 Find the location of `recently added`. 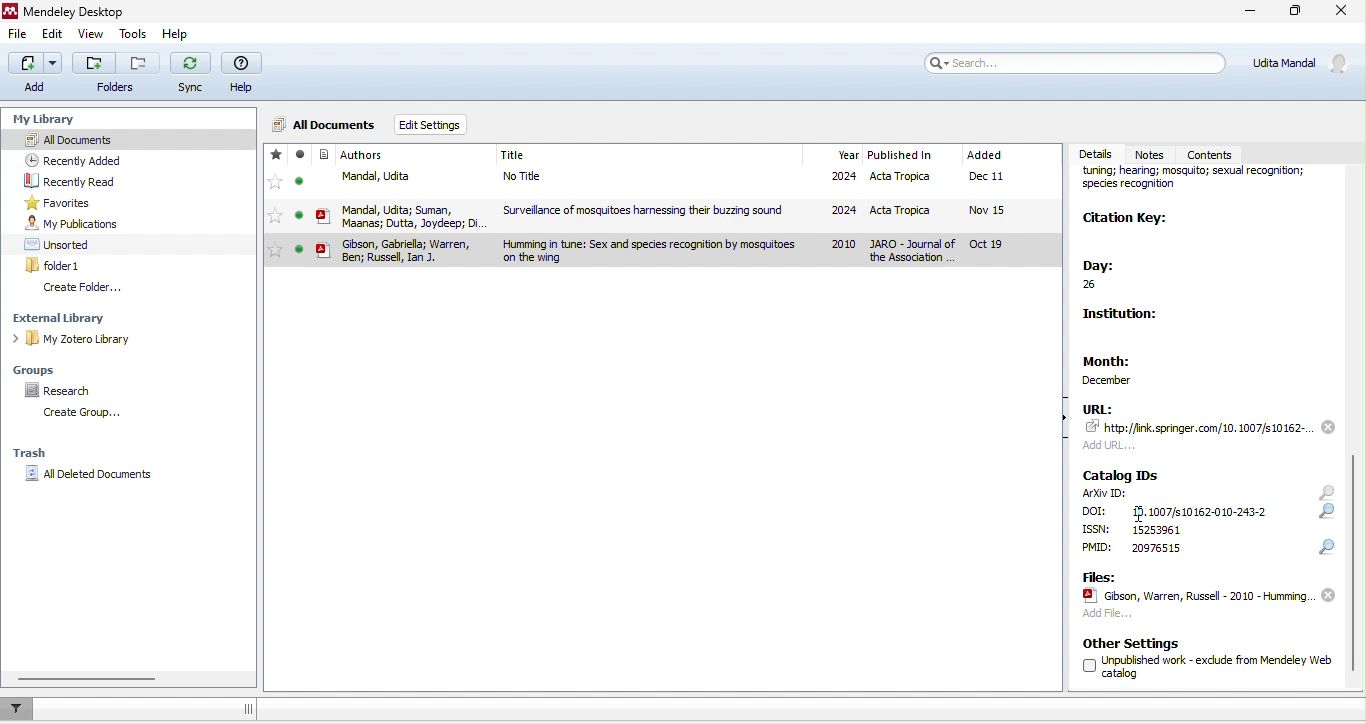

recently added is located at coordinates (73, 160).